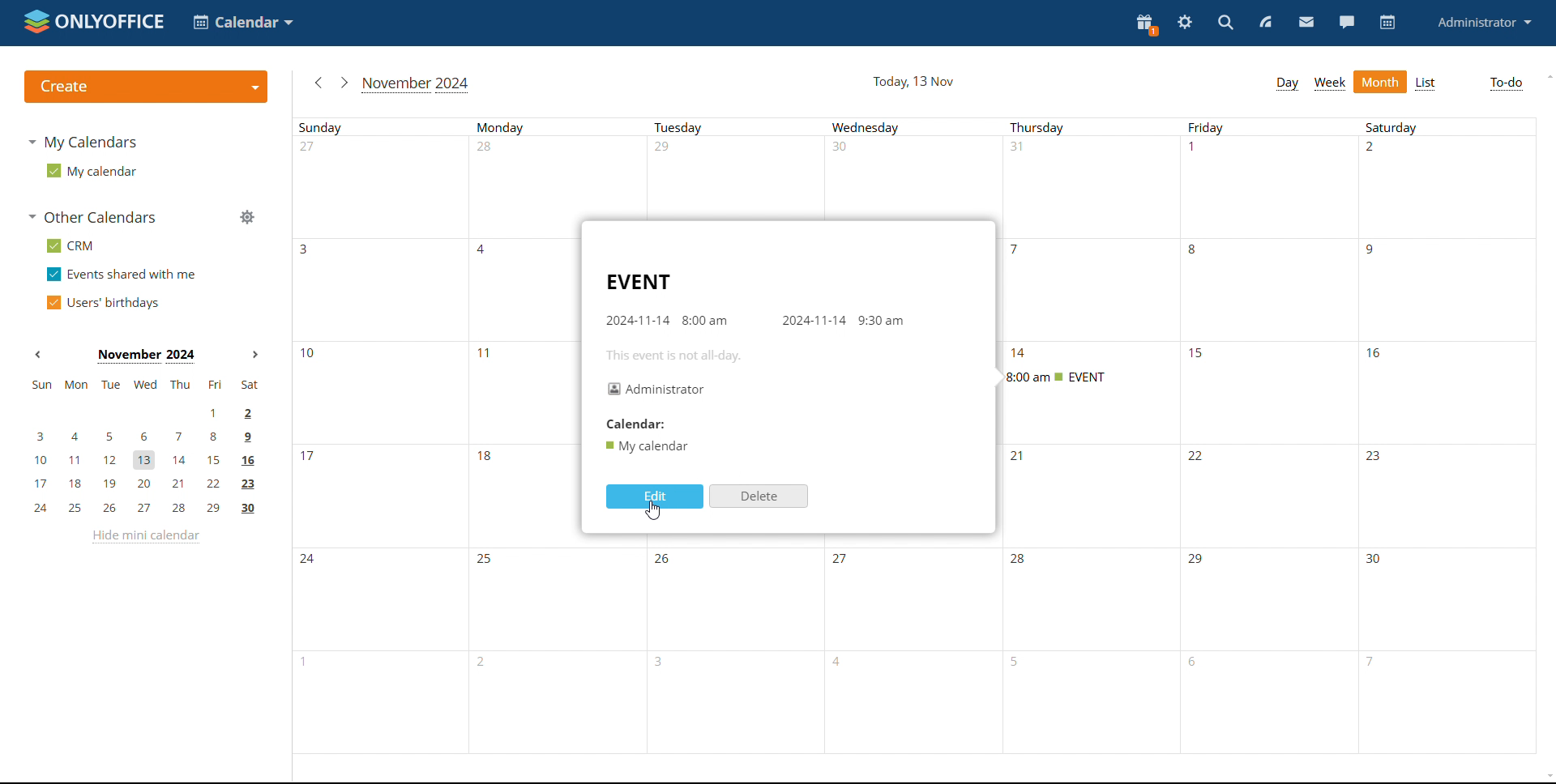 The image size is (1556, 784). I want to click on existing event, so click(1054, 377).